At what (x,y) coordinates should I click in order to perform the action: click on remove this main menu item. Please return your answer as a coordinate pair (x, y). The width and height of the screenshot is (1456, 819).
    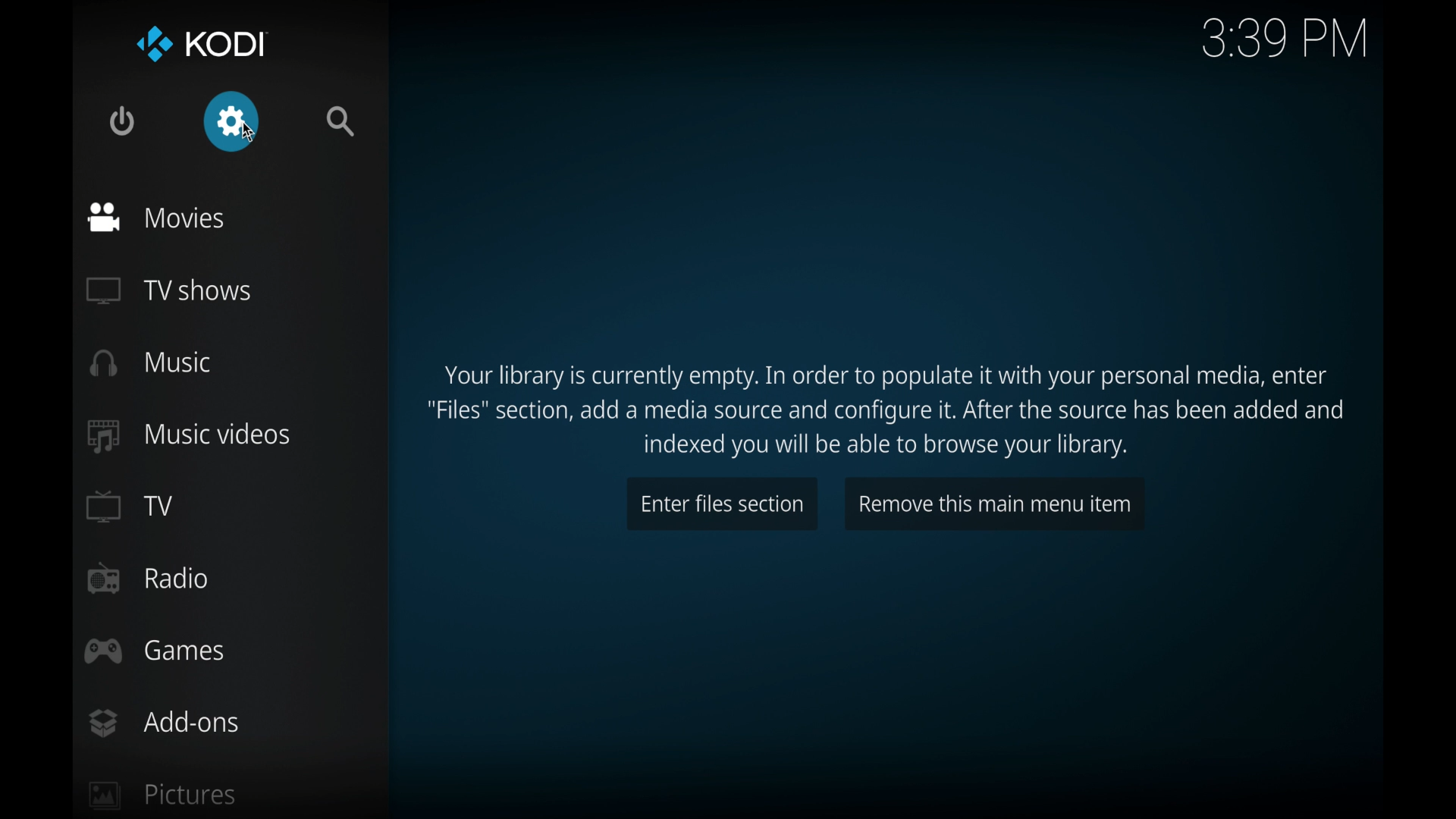
    Looking at the image, I should click on (995, 504).